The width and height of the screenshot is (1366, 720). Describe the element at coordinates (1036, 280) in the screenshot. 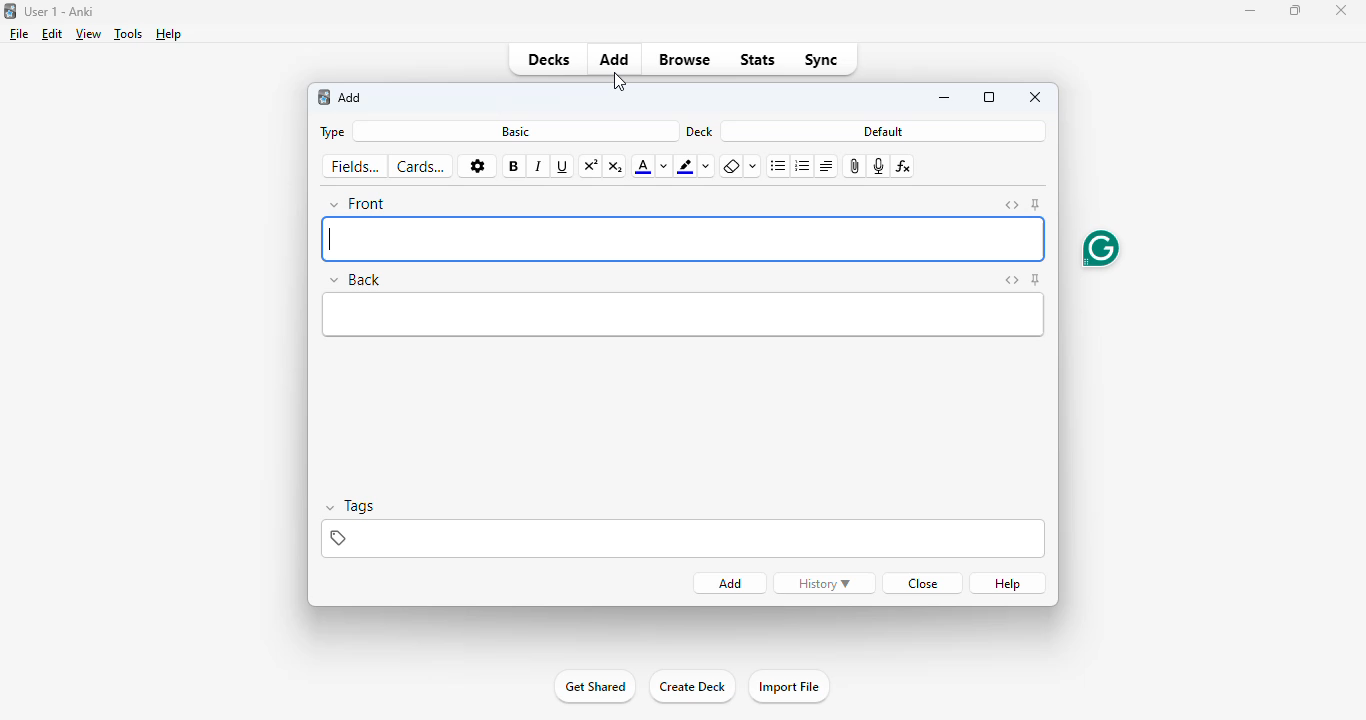

I see `toggle sticky` at that location.